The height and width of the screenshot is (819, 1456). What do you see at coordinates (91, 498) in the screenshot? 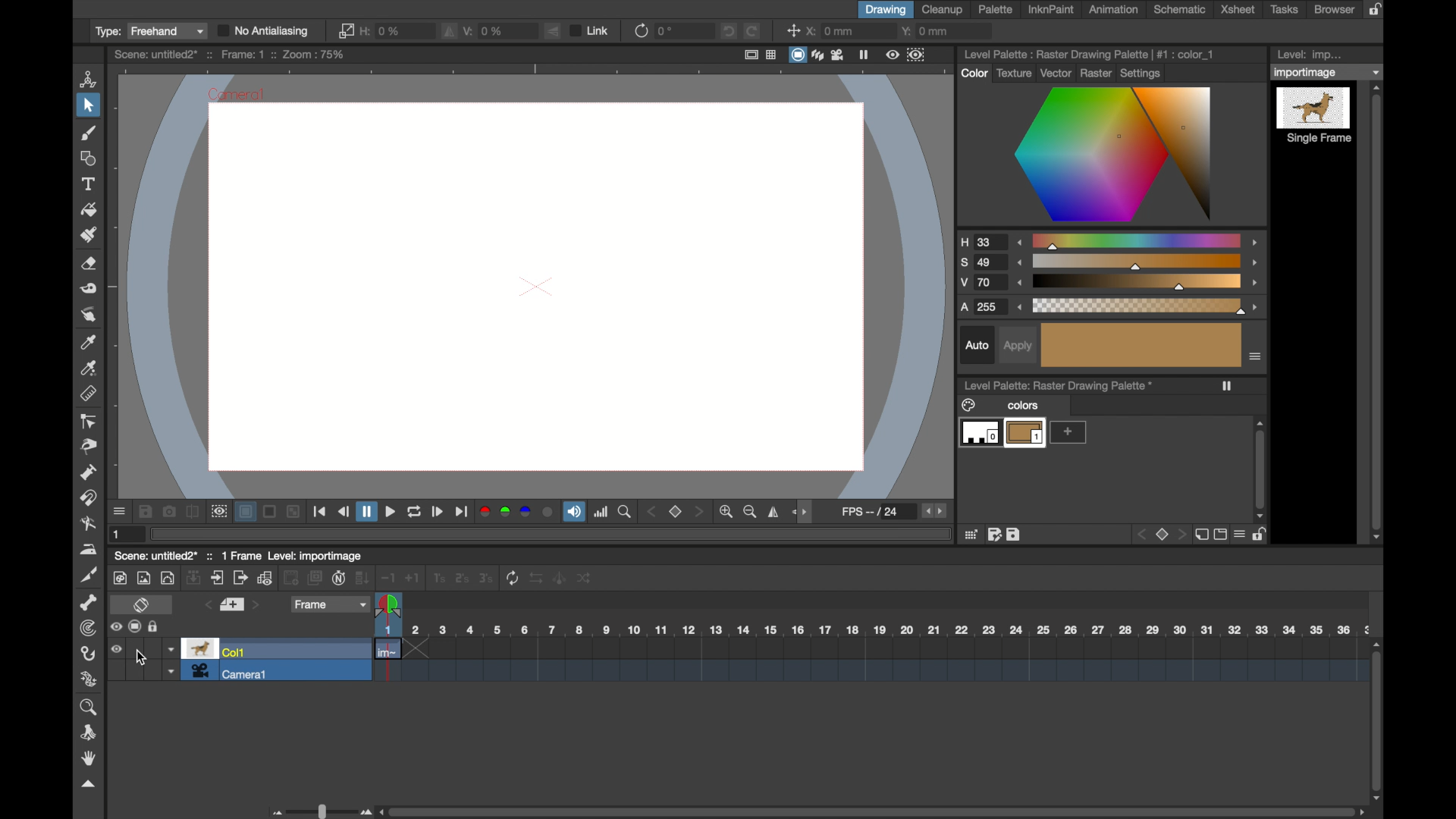
I see `magnet tool` at bounding box center [91, 498].